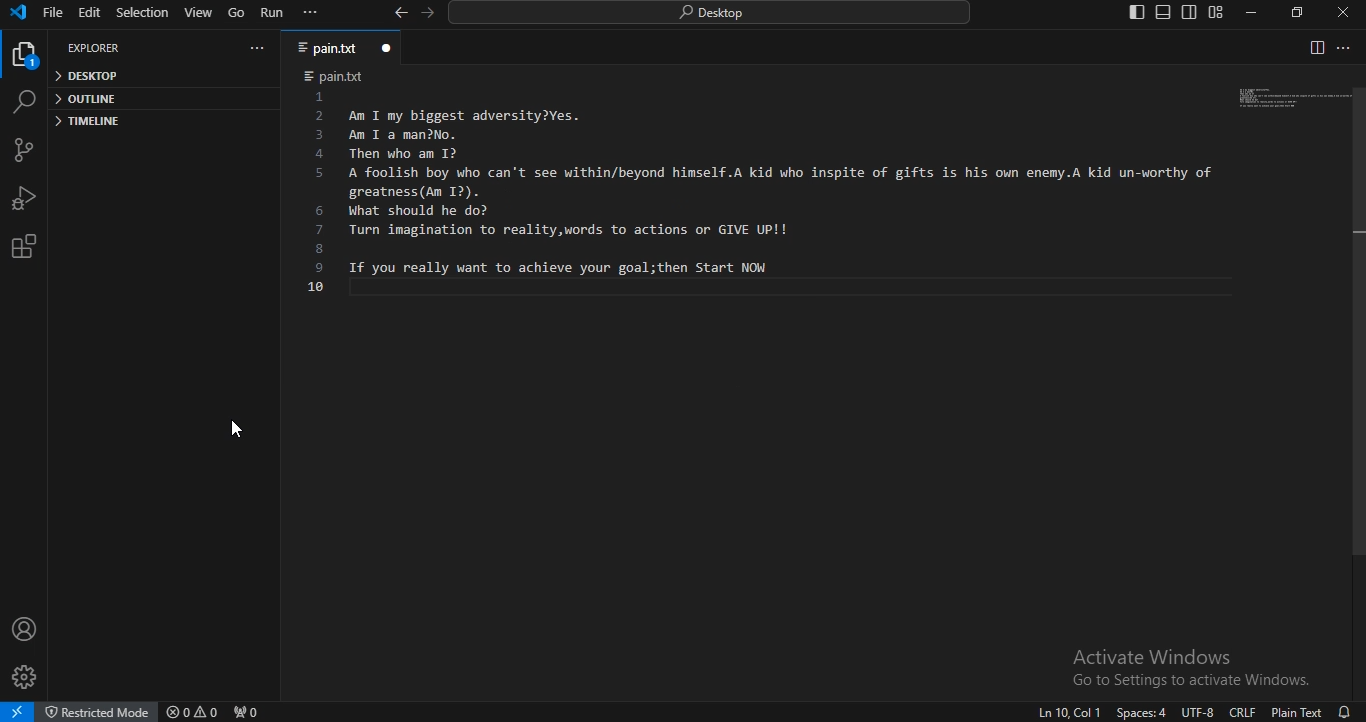 The height and width of the screenshot is (722, 1366). I want to click on toggle panel, so click(1163, 13).